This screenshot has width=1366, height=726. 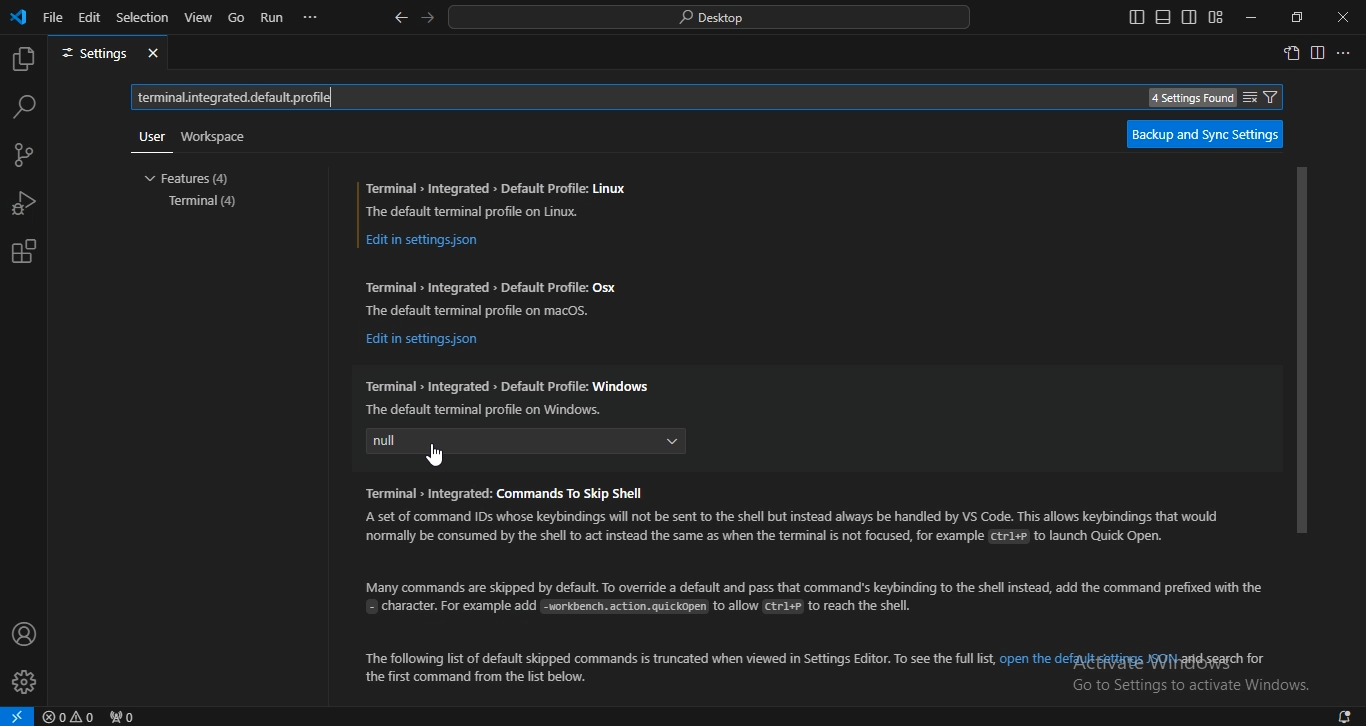 What do you see at coordinates (1344, 16) in the screenshot?
I see `close` at bounding box center [1344, 16].